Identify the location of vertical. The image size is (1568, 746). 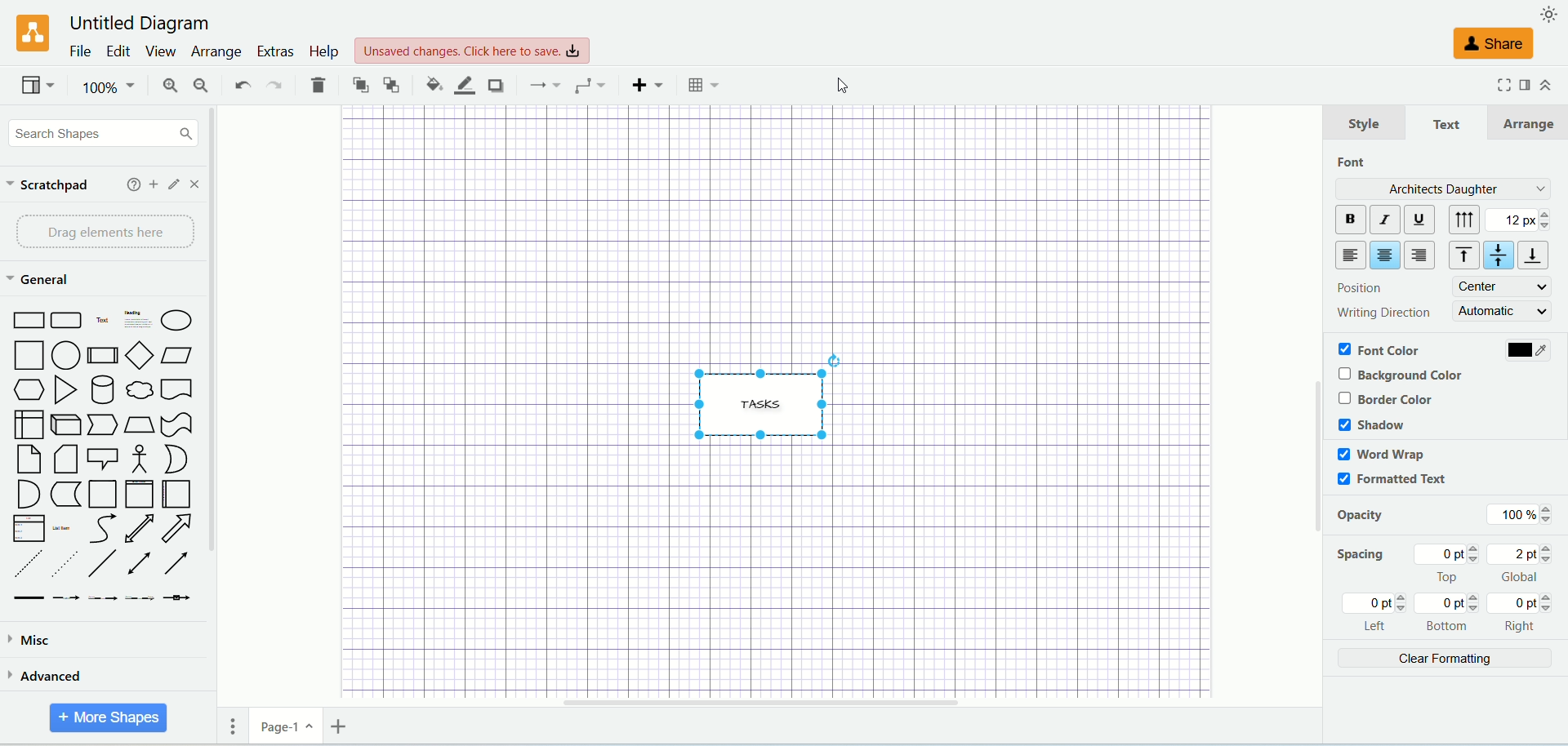
(1464, 219).